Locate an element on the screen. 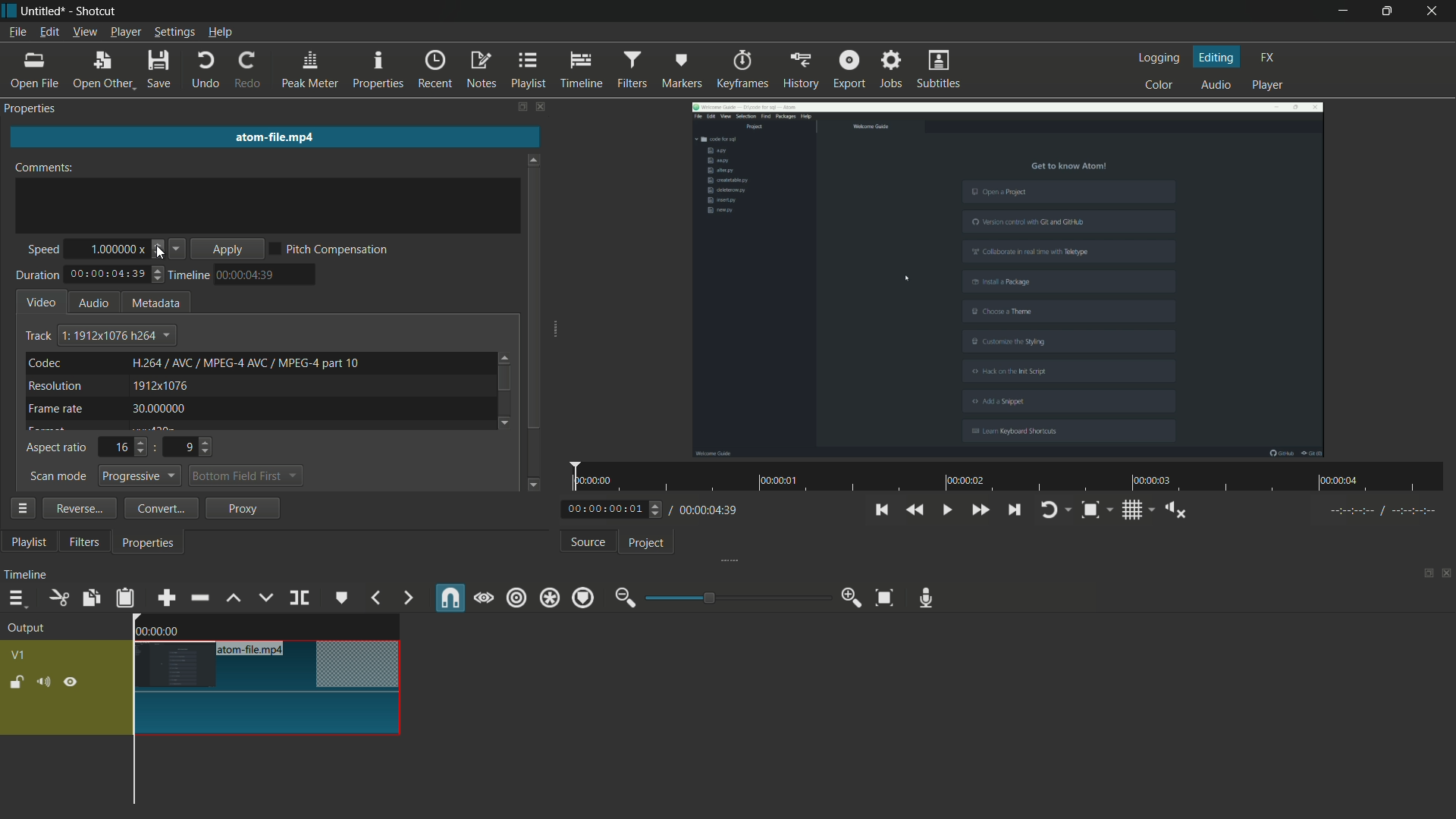  total time is located at coordinates (708, 510).